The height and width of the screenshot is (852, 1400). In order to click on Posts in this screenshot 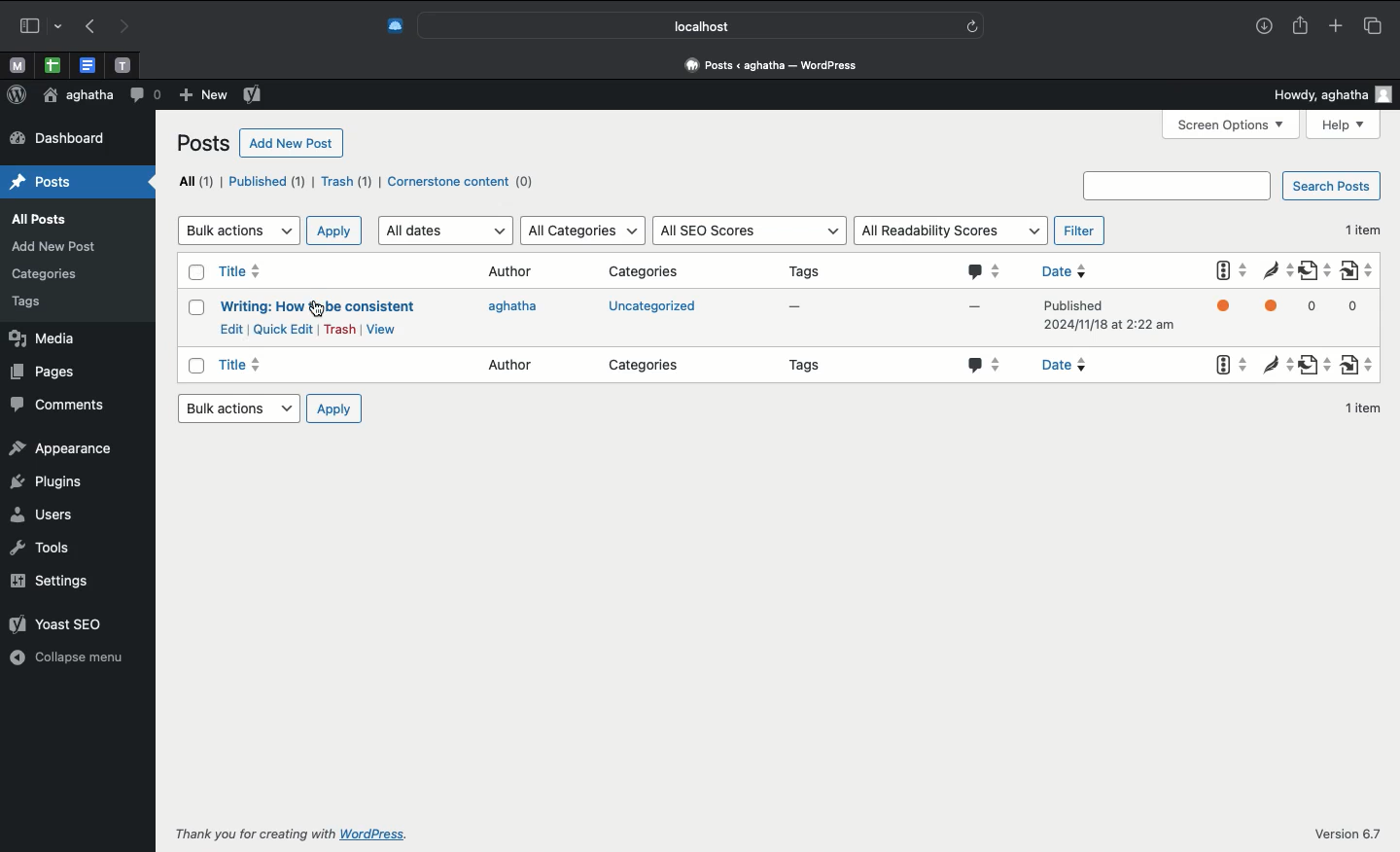, I will do `click(203, 144)`.